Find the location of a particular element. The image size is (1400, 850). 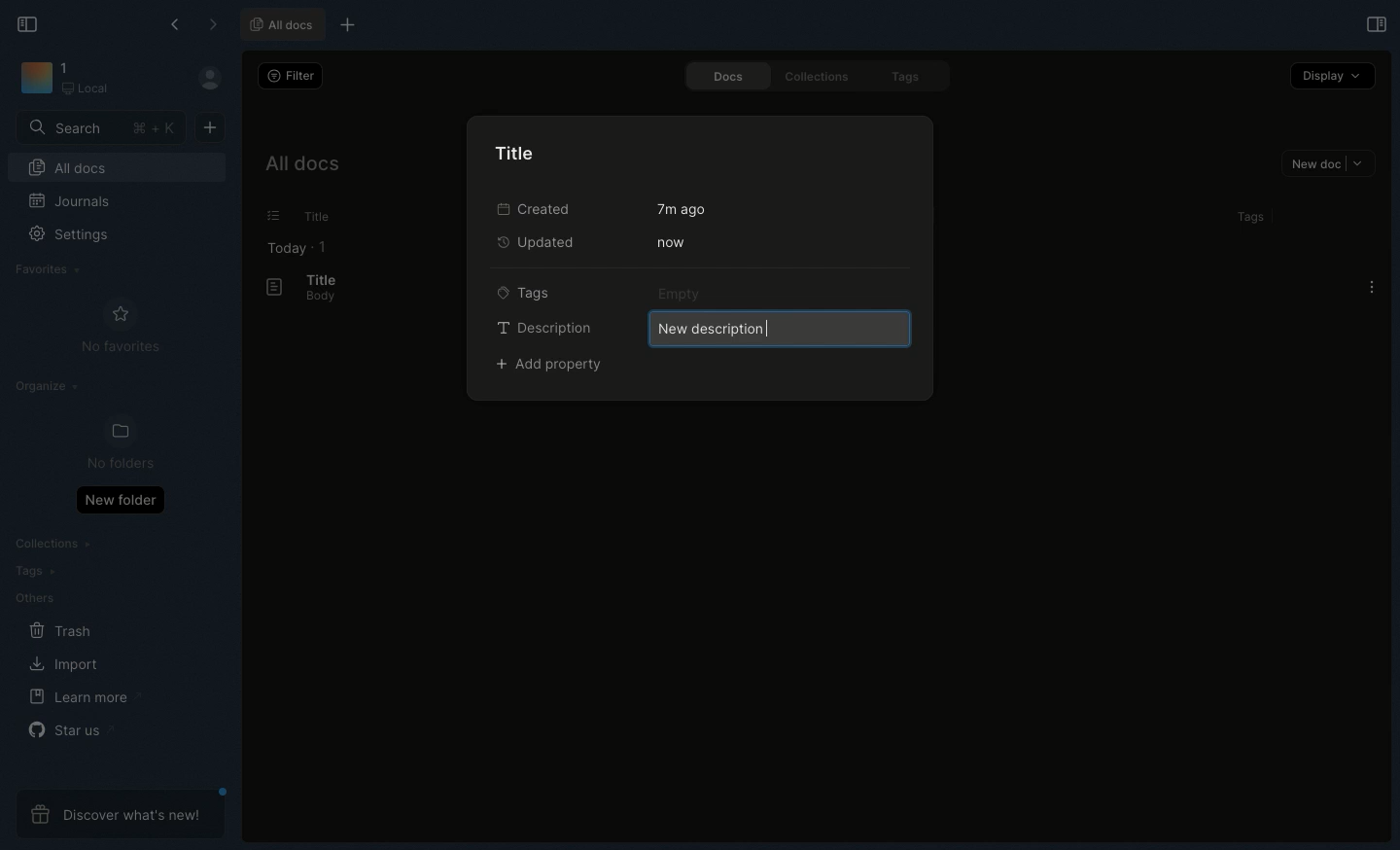

1 item is located at coordinates (323, 246).